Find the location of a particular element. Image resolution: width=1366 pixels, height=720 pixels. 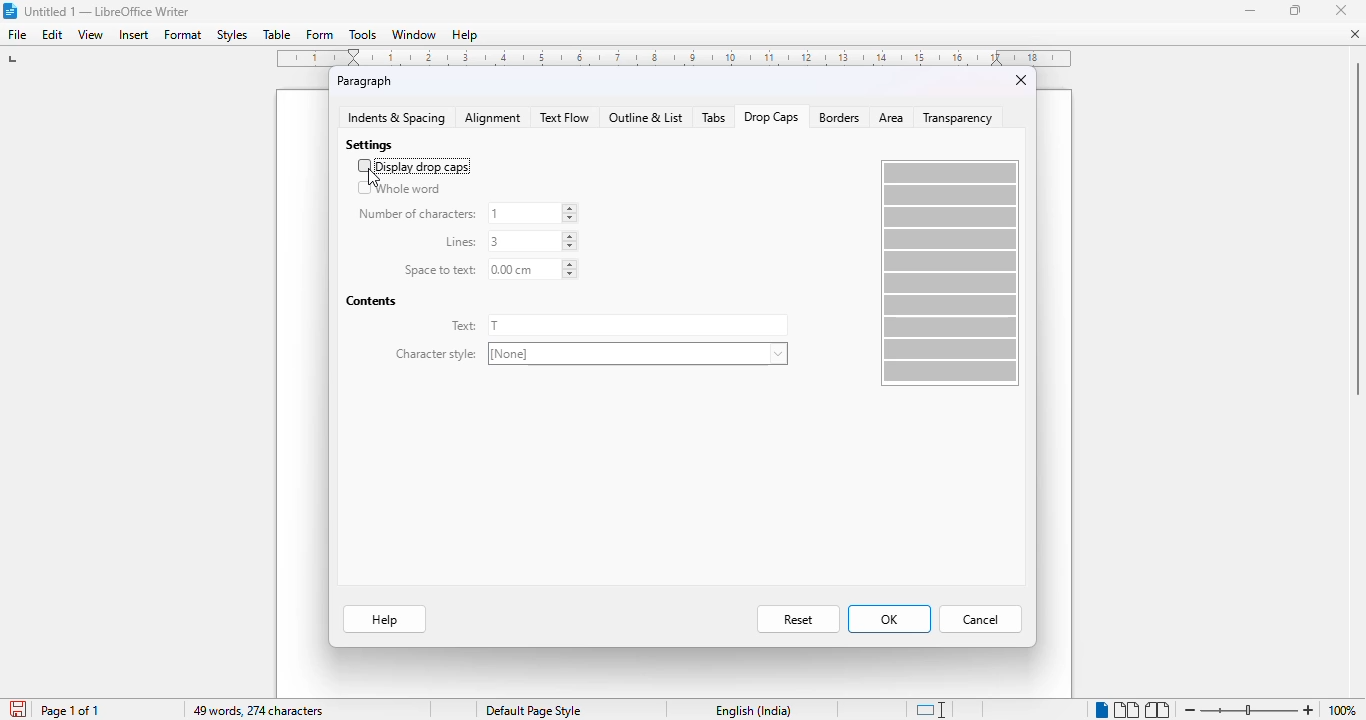

borders is located at coordinates (838, 118).